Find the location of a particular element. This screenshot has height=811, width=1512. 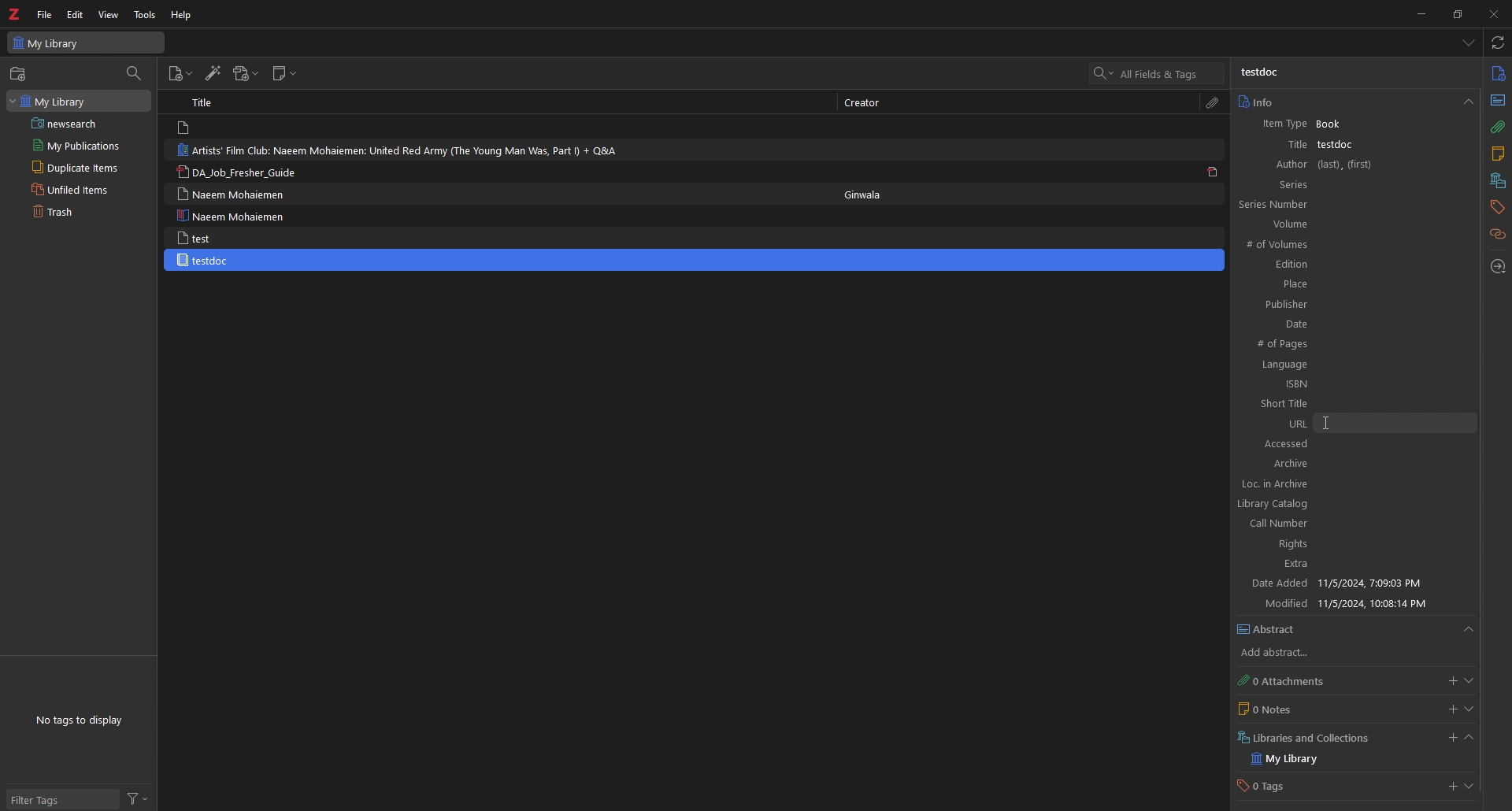

filter is located at coordinates (137, 799).